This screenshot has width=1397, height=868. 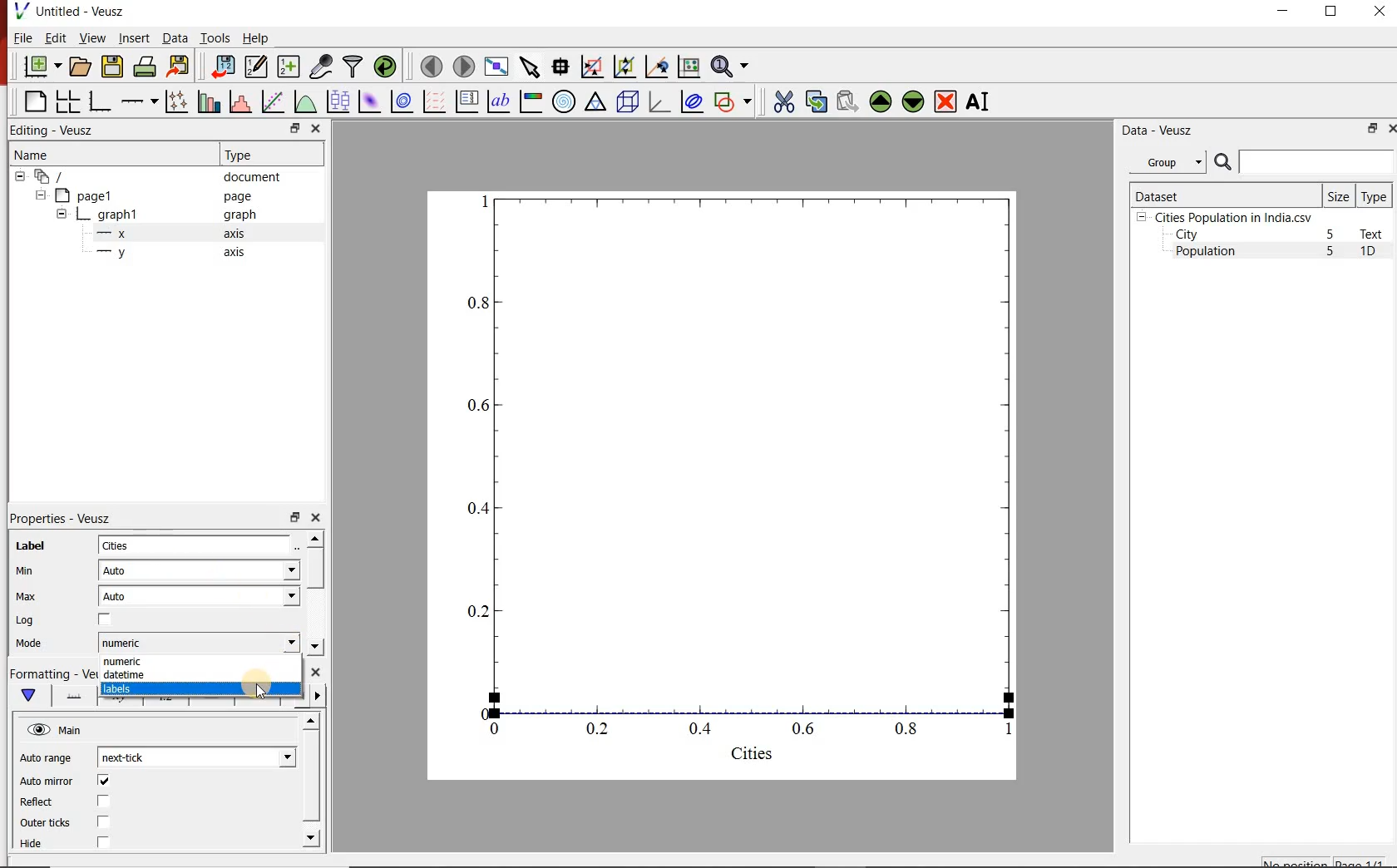 What do you see at coordinates (112, 65) in the screenshot?
I see `save the document` at bounding box center [112, 65].